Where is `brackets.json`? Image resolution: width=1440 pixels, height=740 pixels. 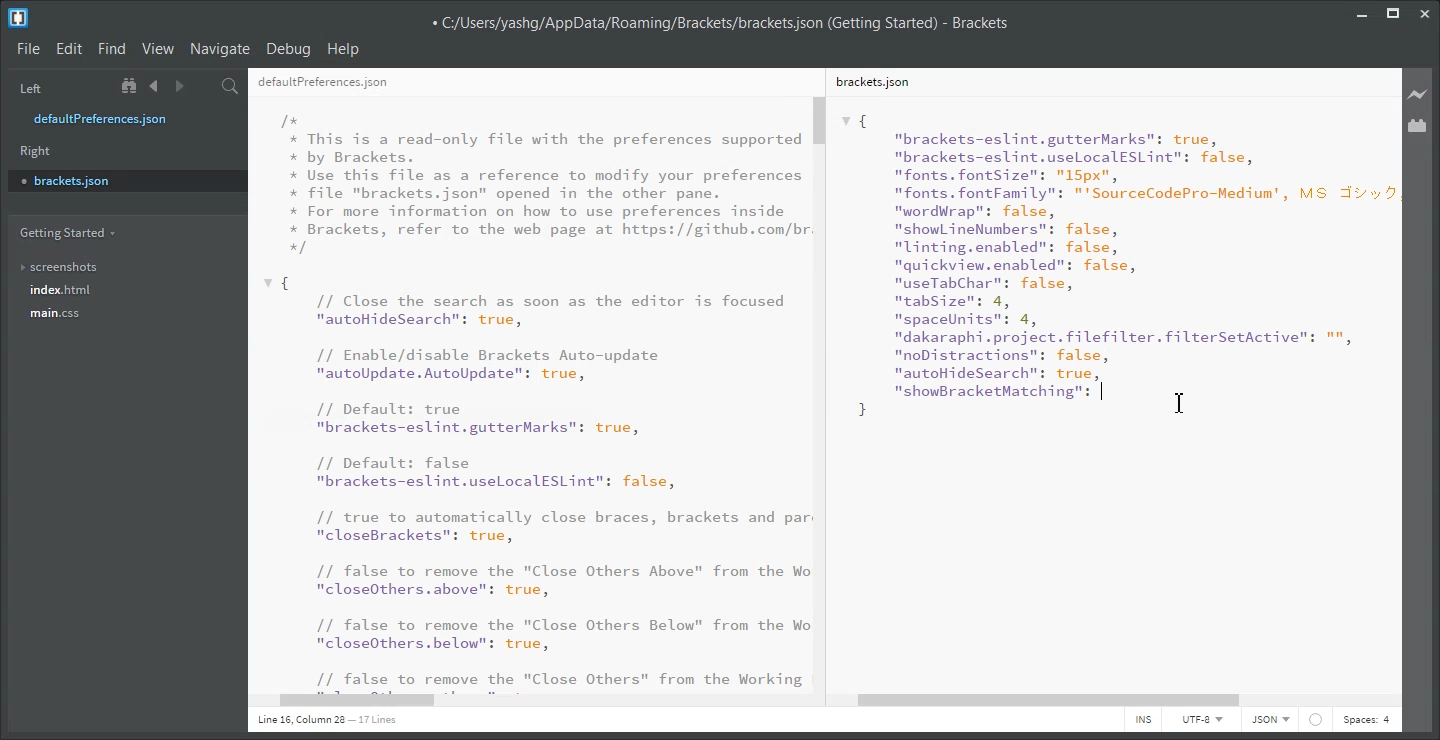 brackets.json is located at coordinates (871, 81).